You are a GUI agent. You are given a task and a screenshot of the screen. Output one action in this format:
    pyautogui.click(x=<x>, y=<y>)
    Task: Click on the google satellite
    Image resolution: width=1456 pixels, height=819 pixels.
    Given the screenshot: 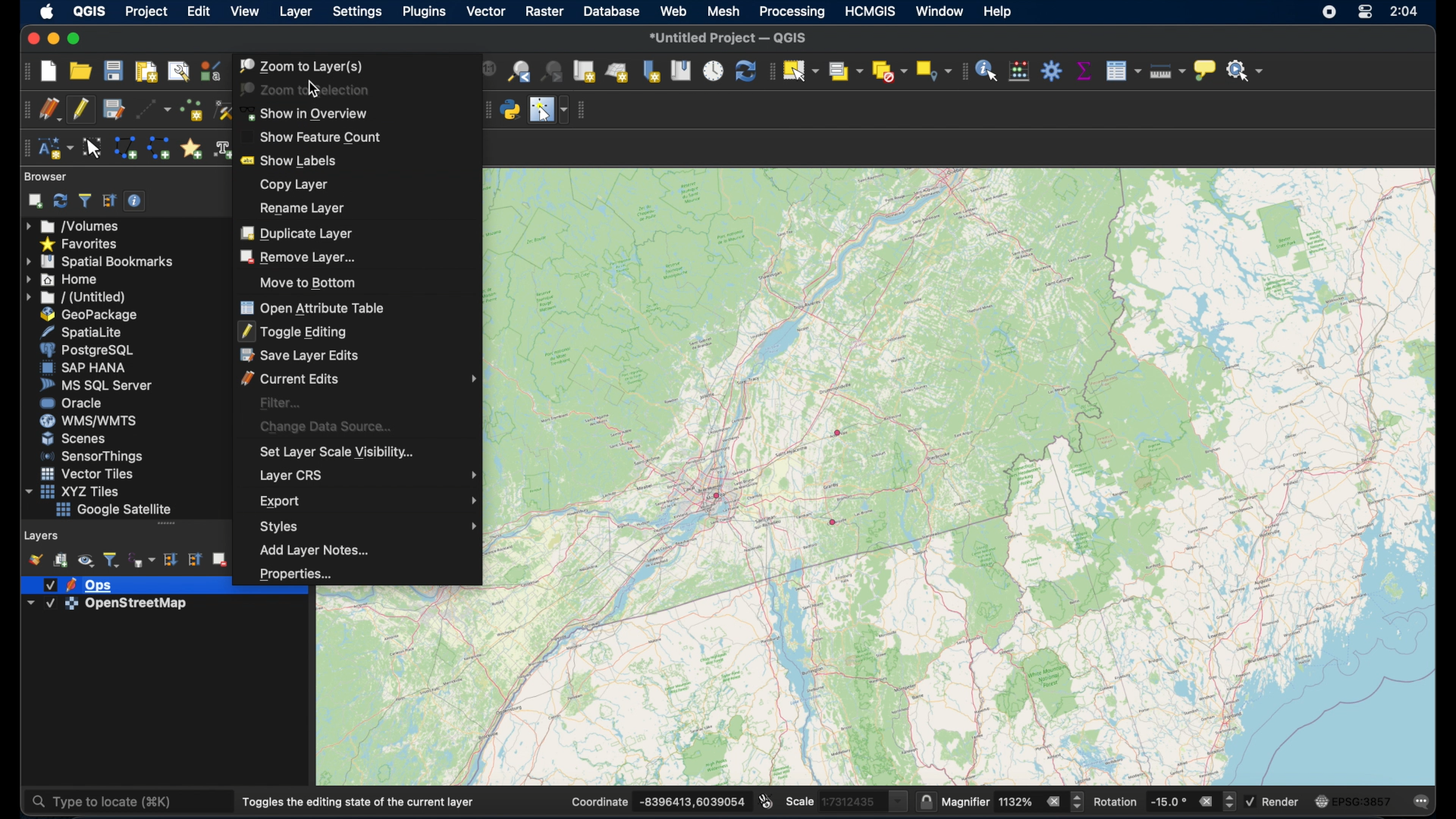 What is the action you would take?
    pyautogui.click(x=113, y=510)
    